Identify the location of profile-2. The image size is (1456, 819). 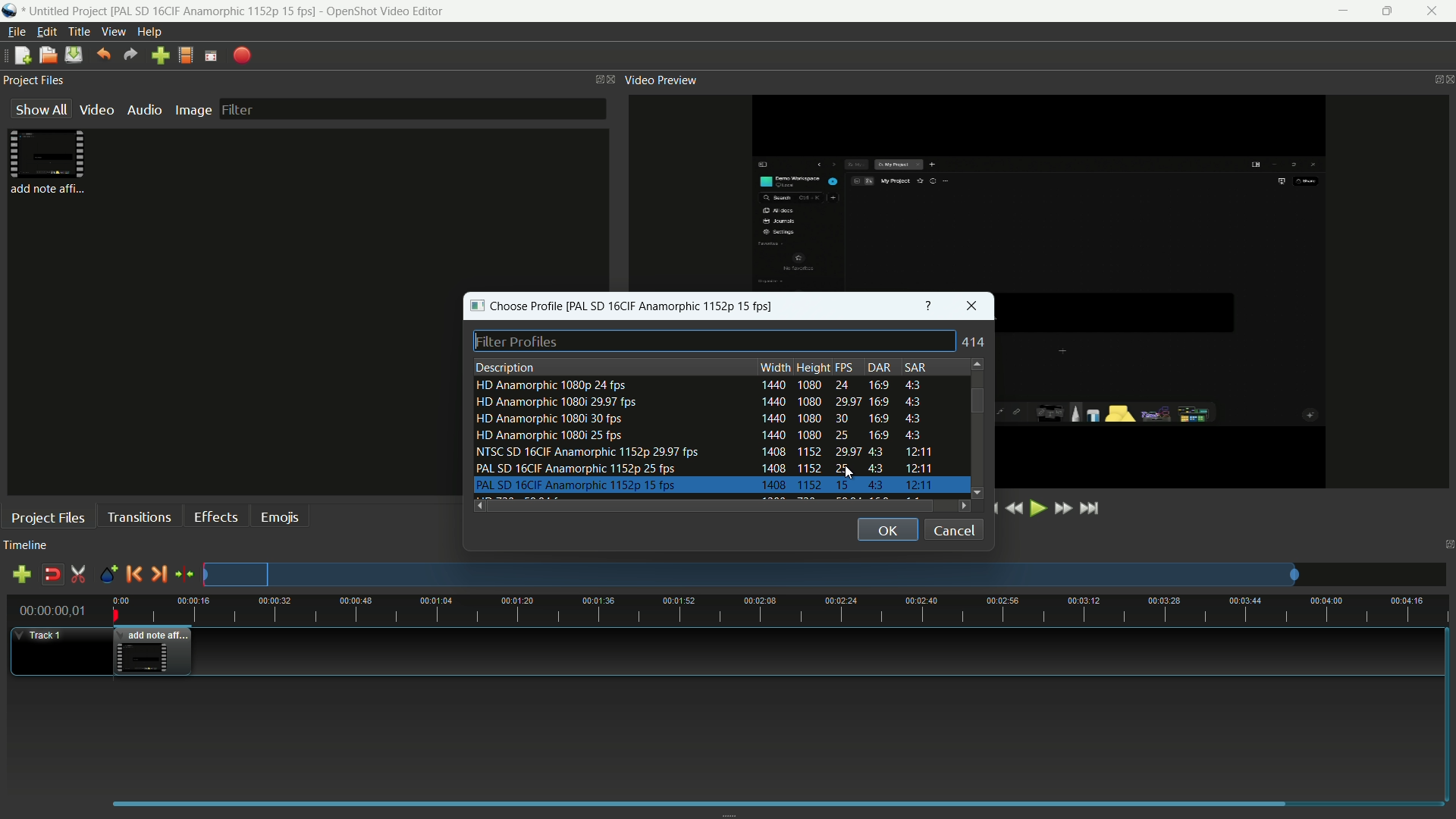
(700, 403).